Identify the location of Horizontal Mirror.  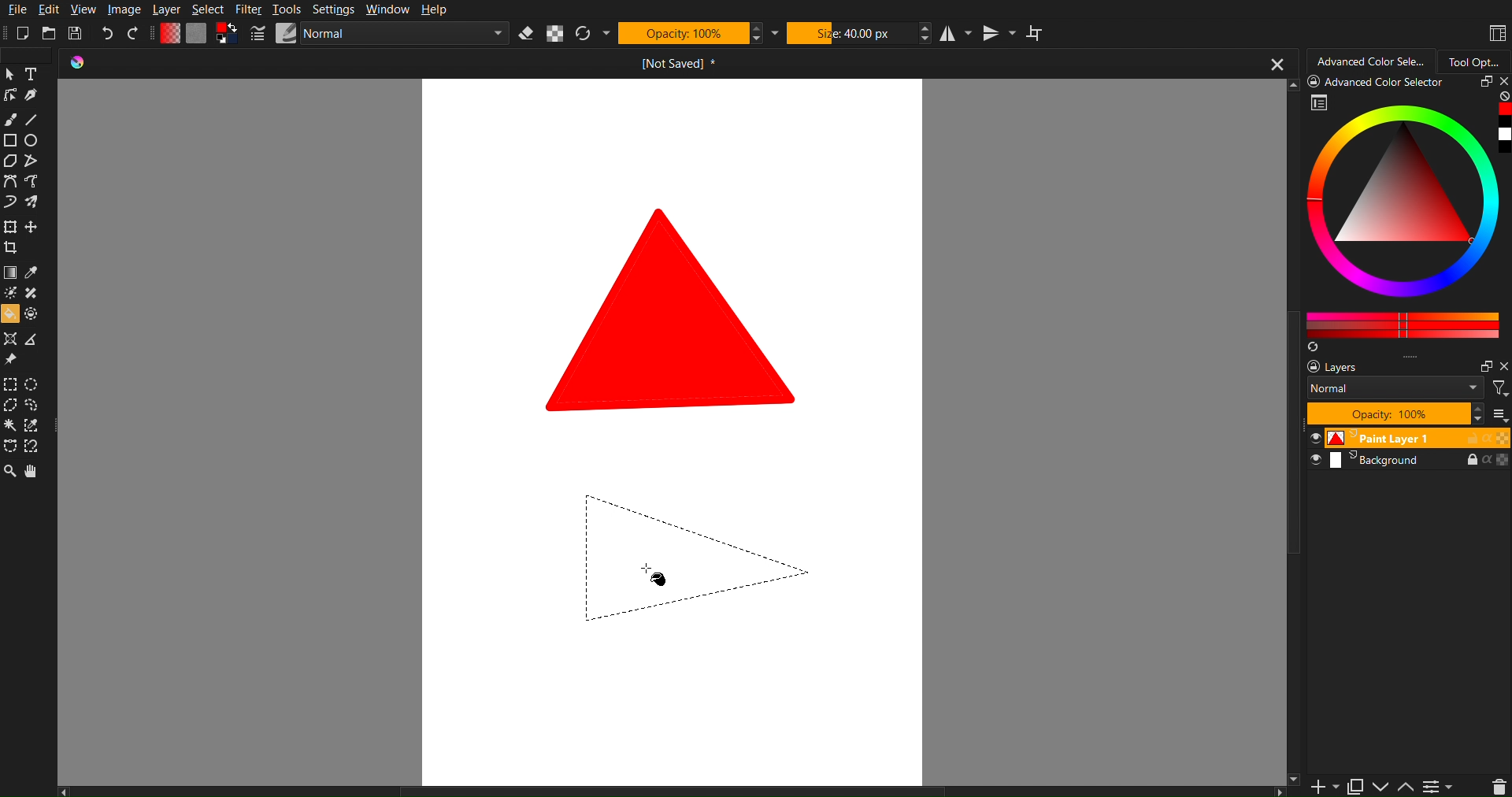
(958, 35).